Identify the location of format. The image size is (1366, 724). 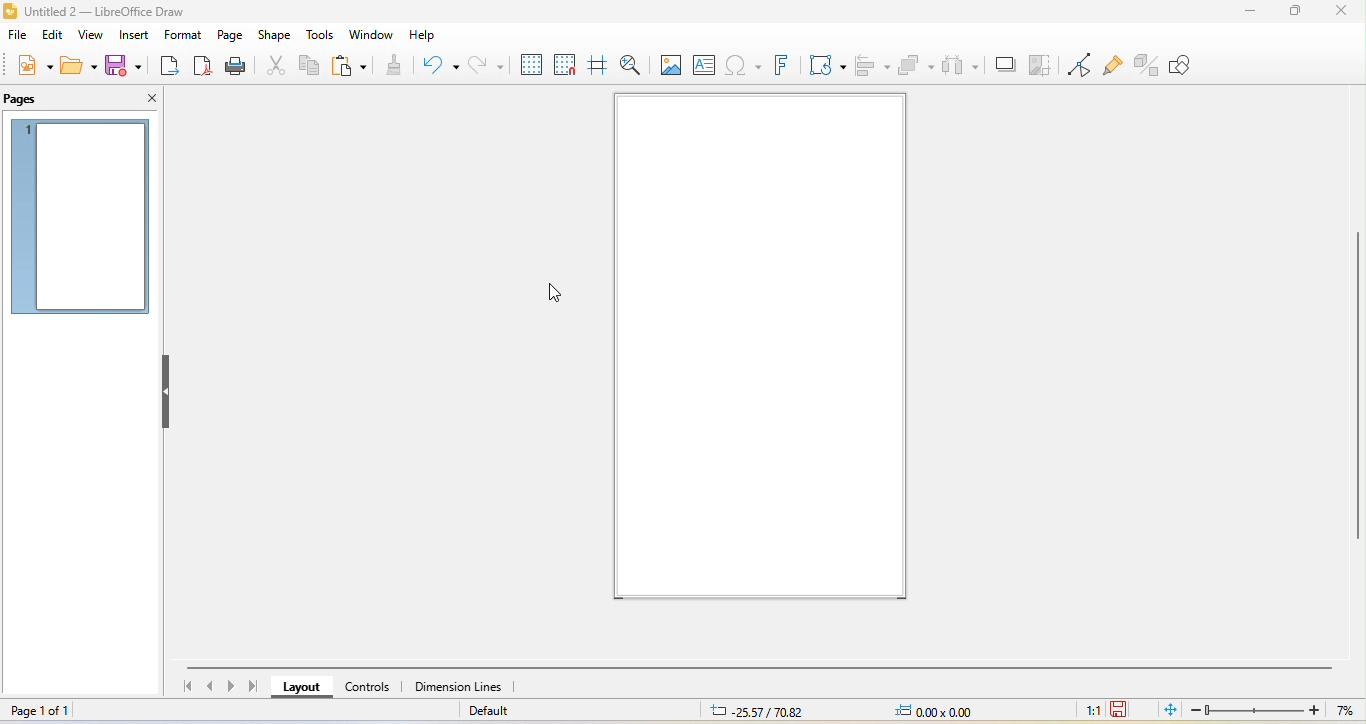
(180, 37).